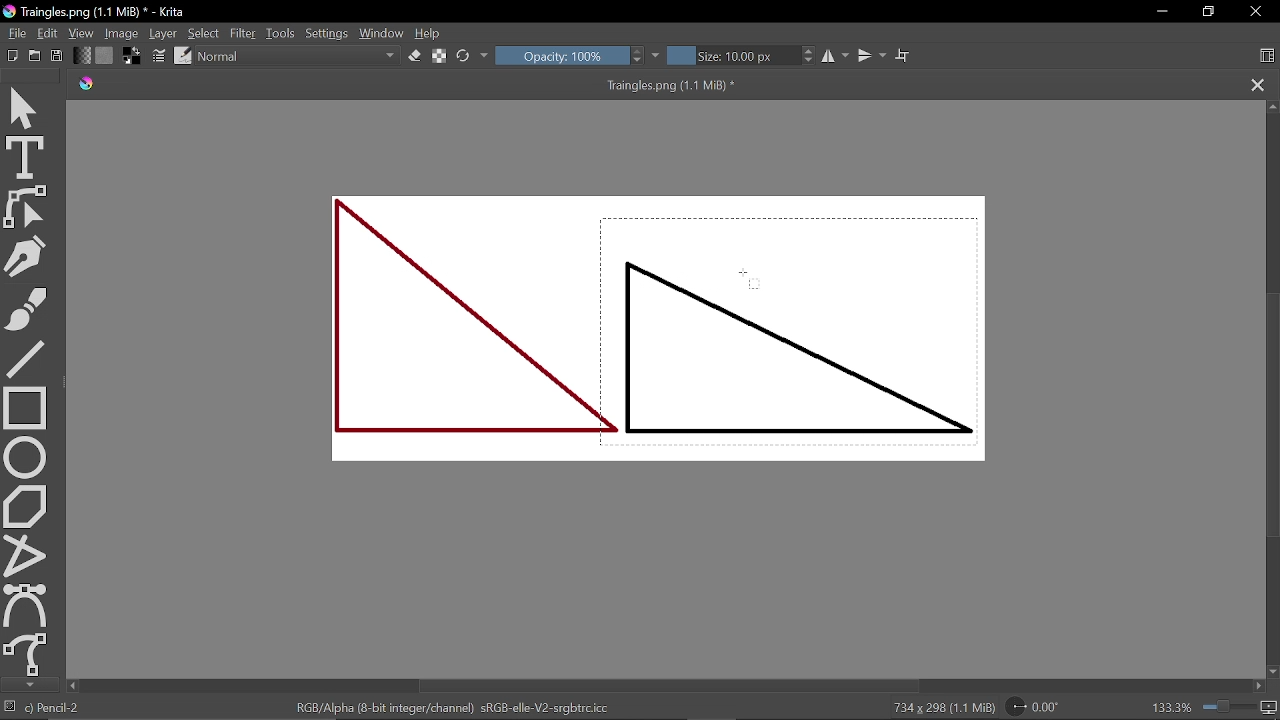  Describe the element at coordinates (750, 280) in the screenshot. I see `Cursor` at that location.